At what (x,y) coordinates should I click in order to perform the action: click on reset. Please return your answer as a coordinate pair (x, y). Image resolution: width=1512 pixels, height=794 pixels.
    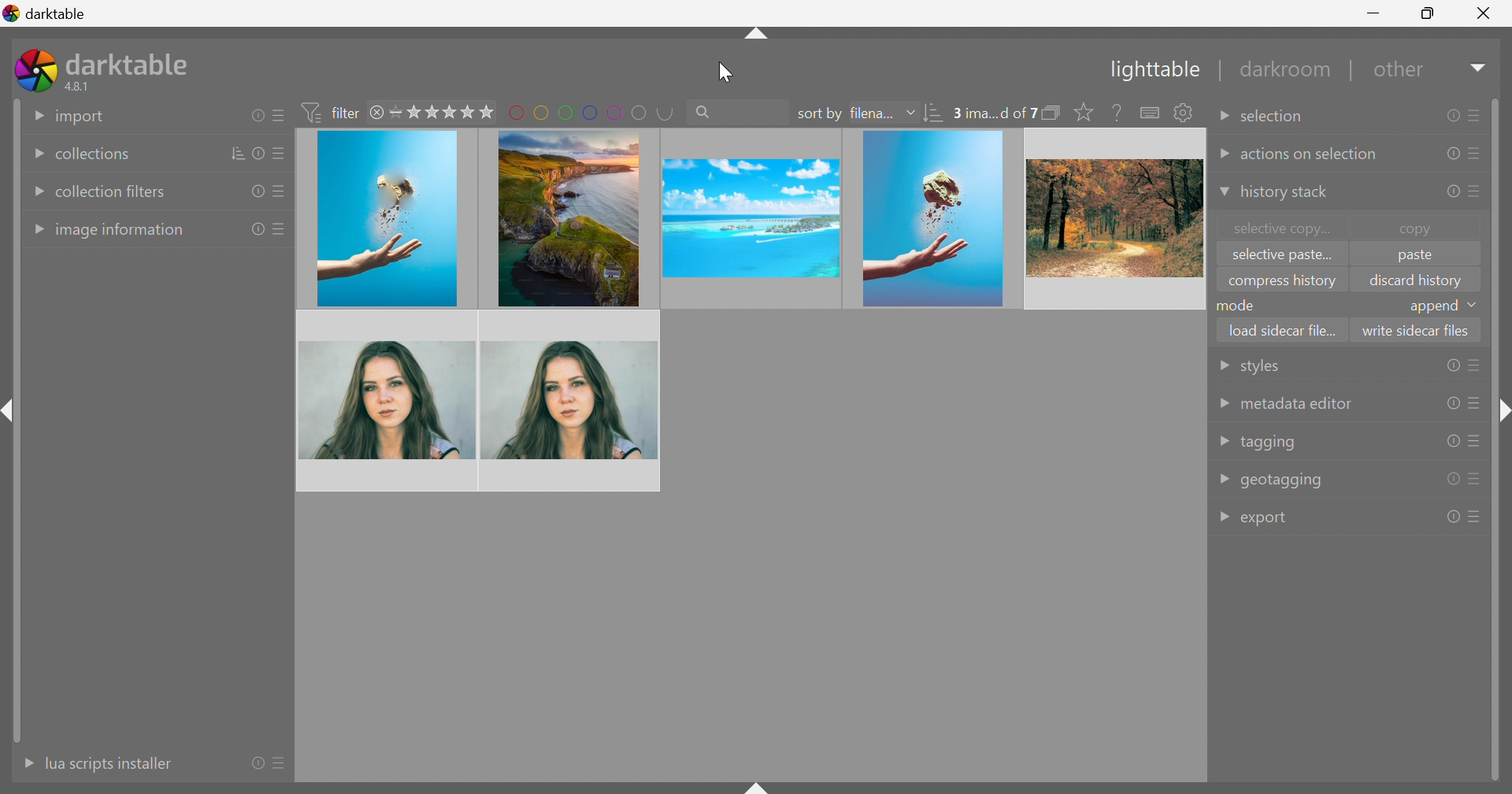
    Looking at the image, I should click on (1449, 153).